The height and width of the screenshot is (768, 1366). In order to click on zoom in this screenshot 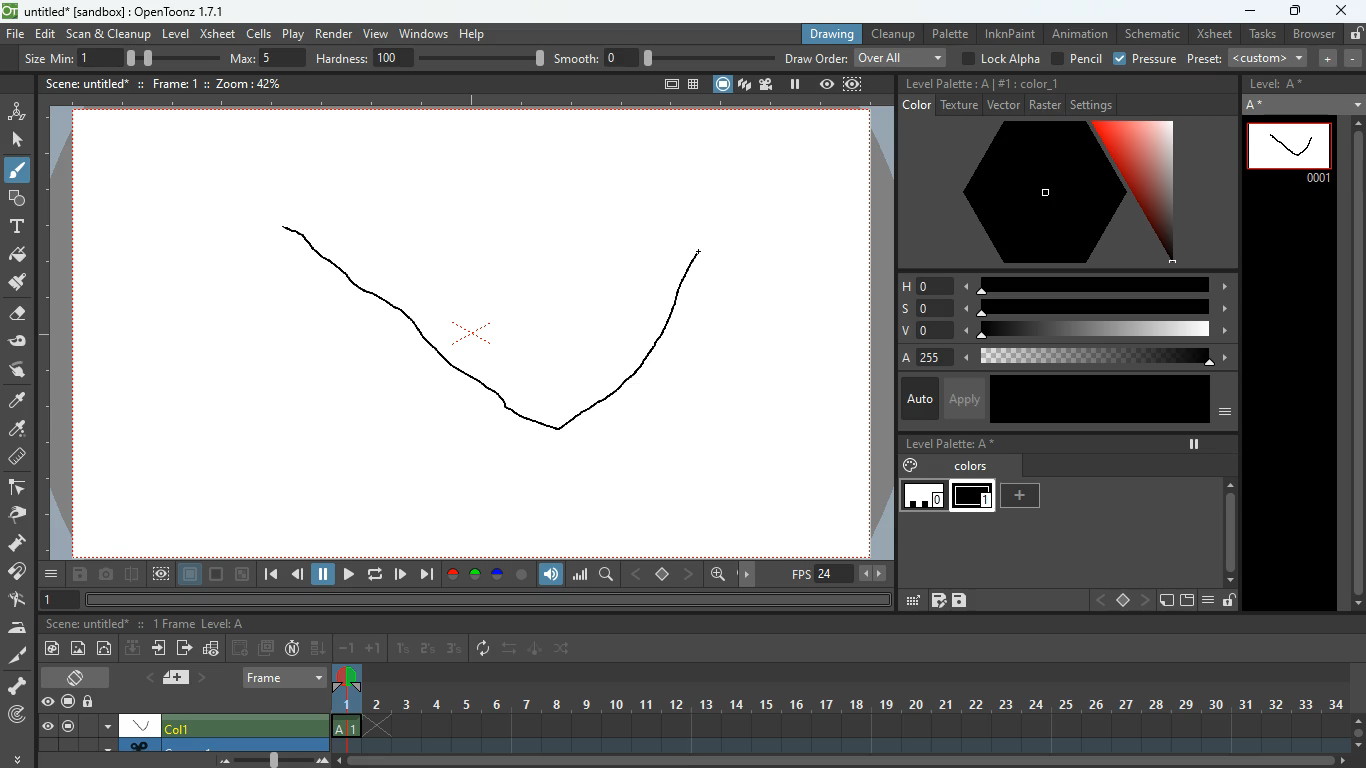, I will do `click(242, 83)`.